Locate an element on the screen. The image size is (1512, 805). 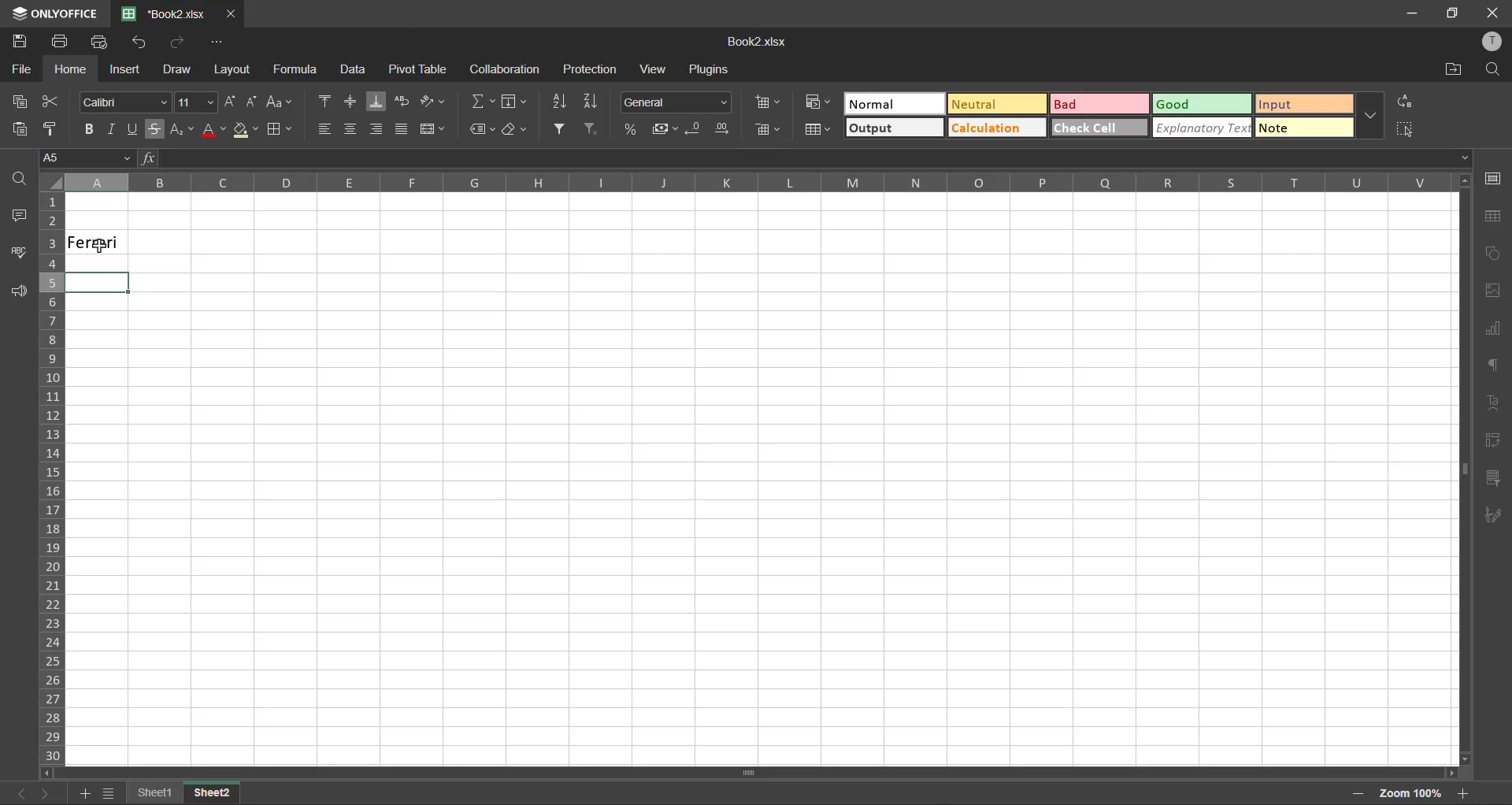
text is located at coordinates (1497, 404).